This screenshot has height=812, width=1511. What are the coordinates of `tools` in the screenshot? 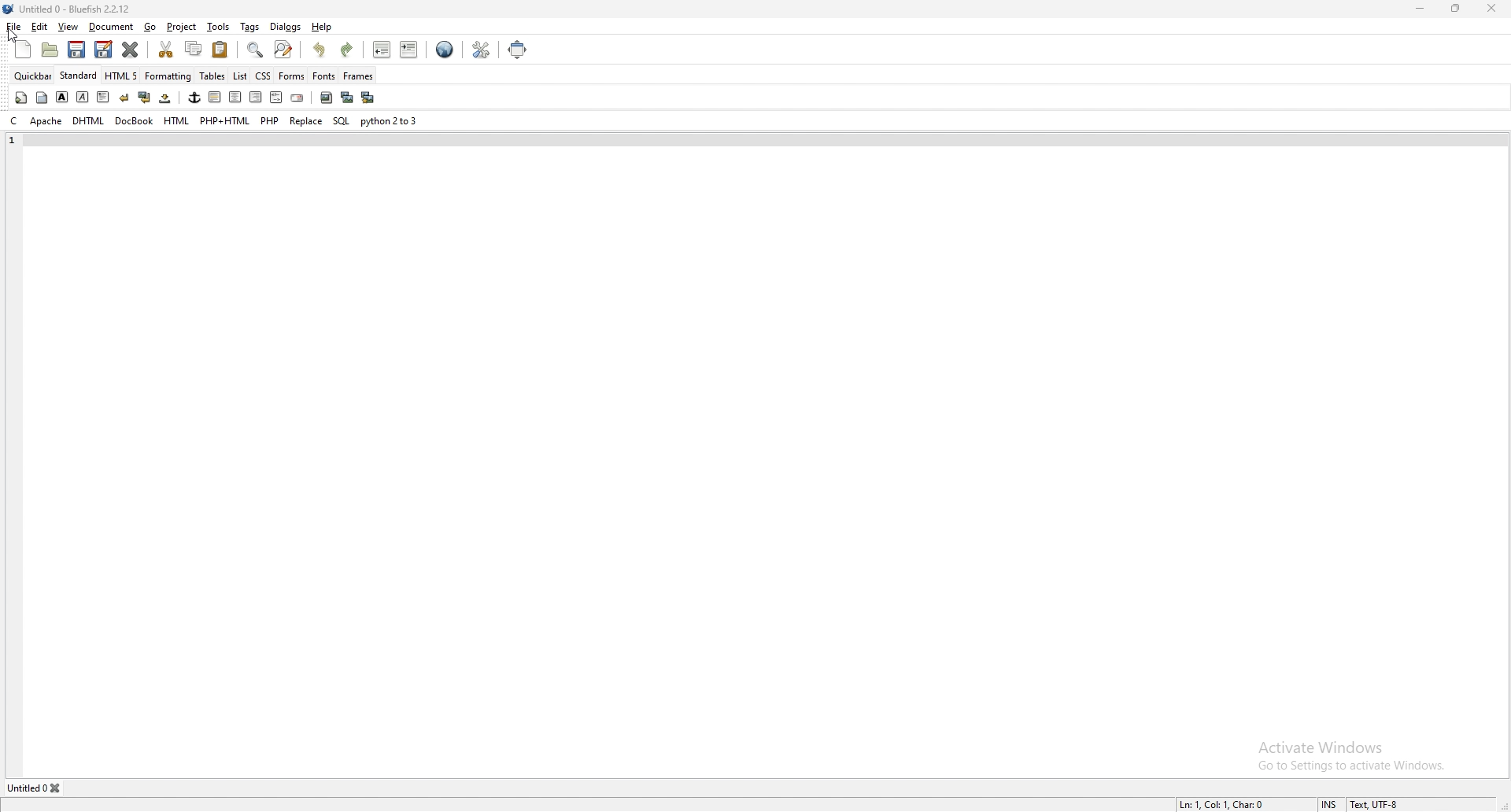 It's located at (219, 28).